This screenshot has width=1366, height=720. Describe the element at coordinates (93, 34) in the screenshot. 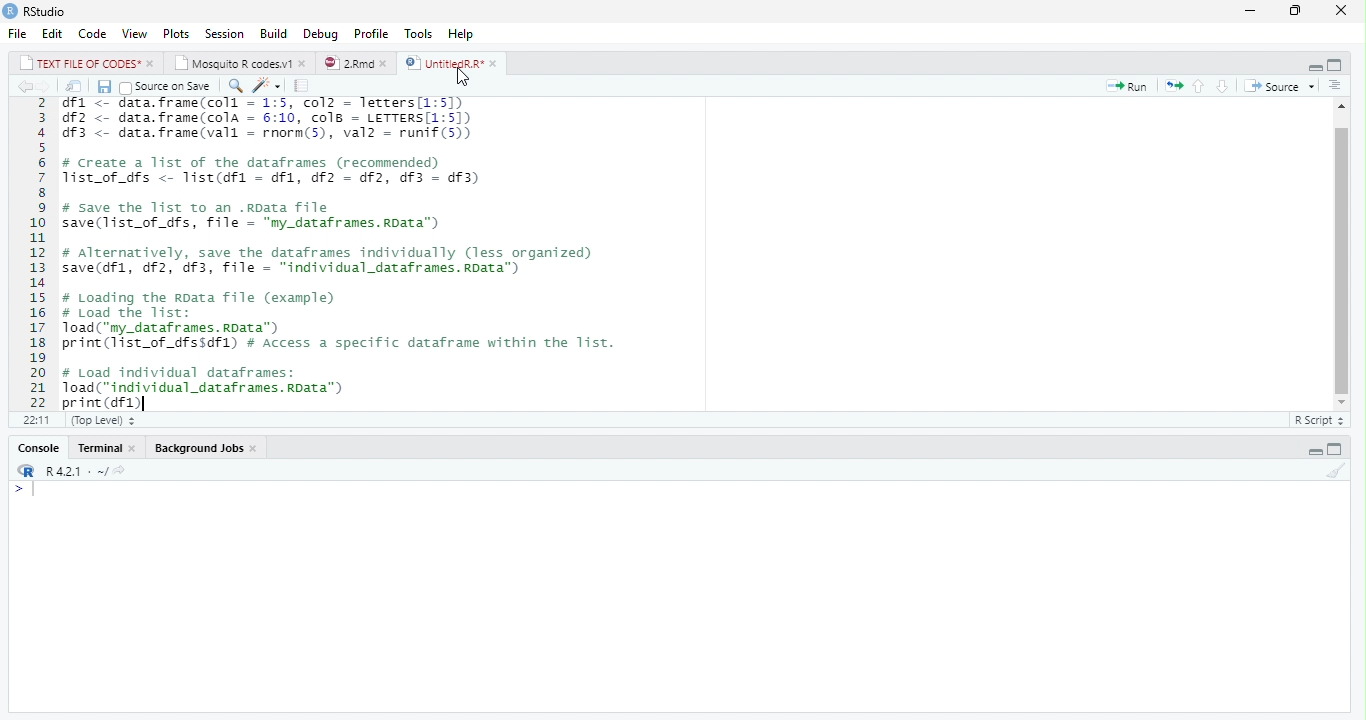

I see `Code` at that location.